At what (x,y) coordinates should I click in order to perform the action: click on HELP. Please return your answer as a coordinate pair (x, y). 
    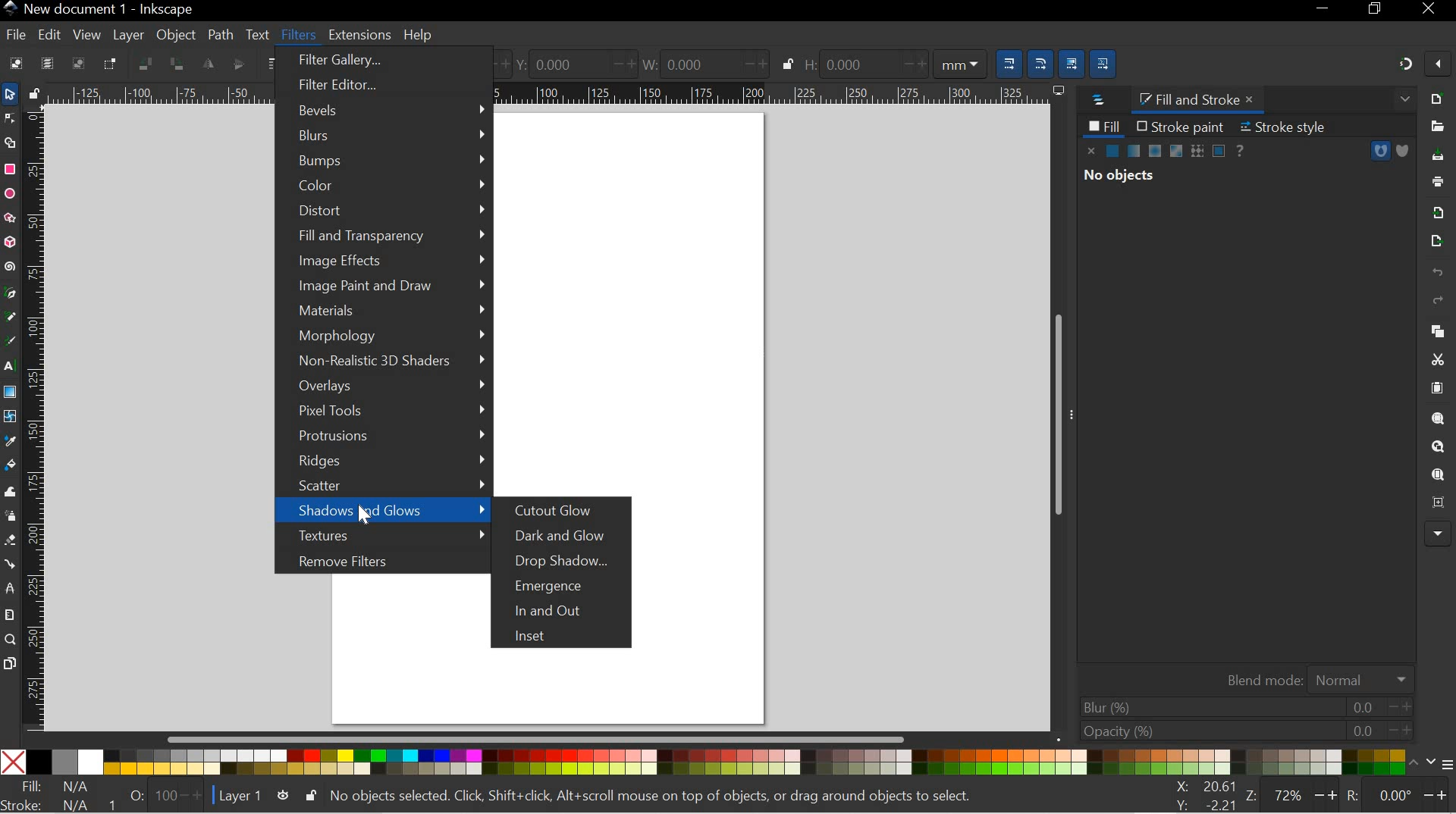
    Looking at the image, I should click on (419, 36).